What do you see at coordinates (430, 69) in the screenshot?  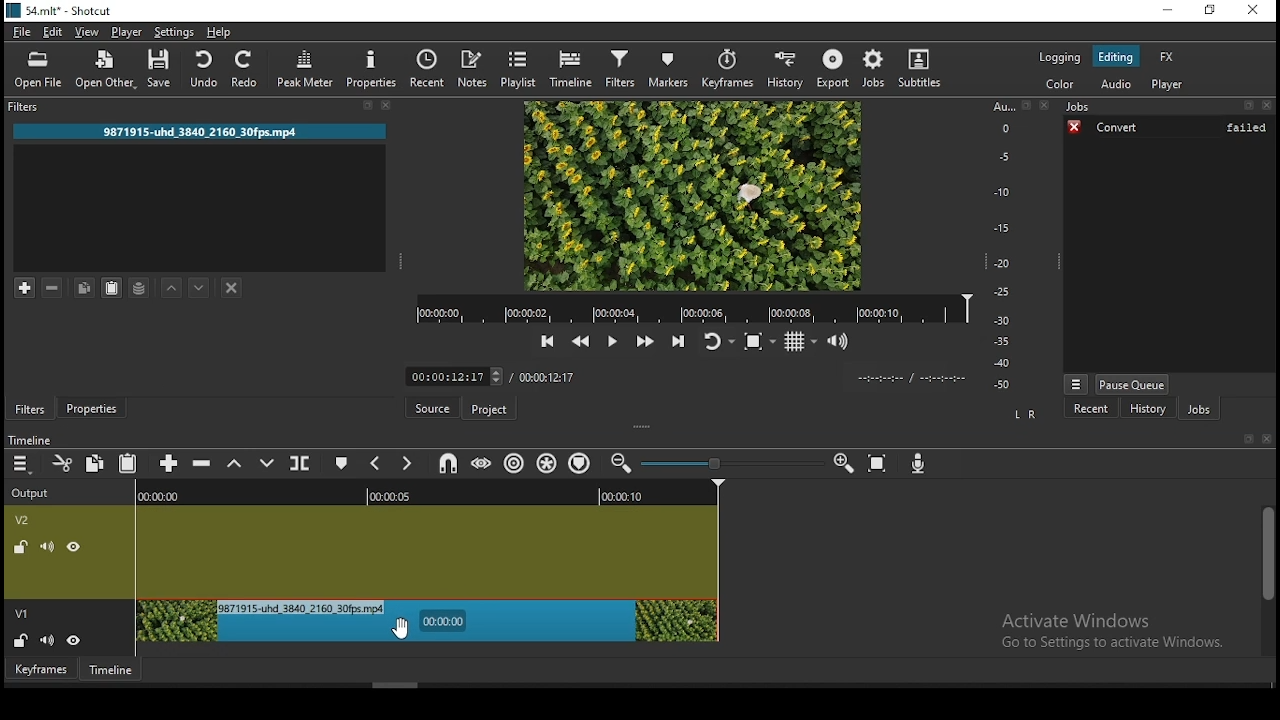 I see `recent` at bounding box center [430, 69].